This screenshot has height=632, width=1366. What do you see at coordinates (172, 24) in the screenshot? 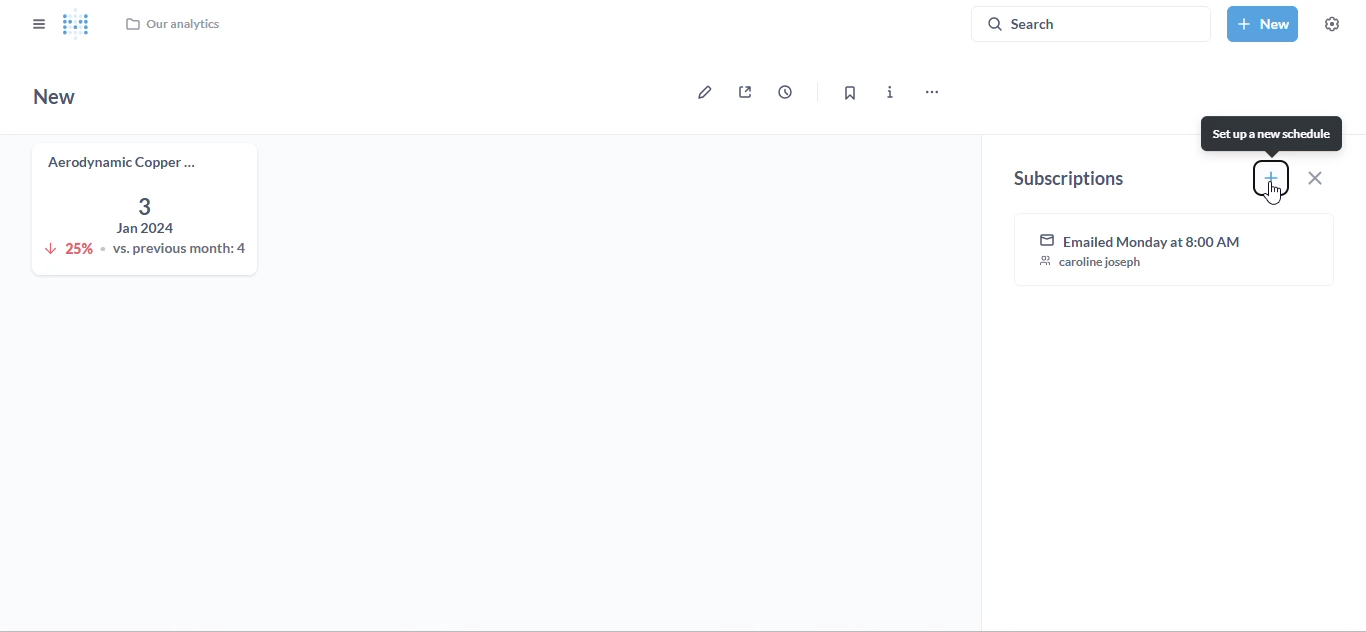
I see `our analytics` at bounding box center [172, 24].